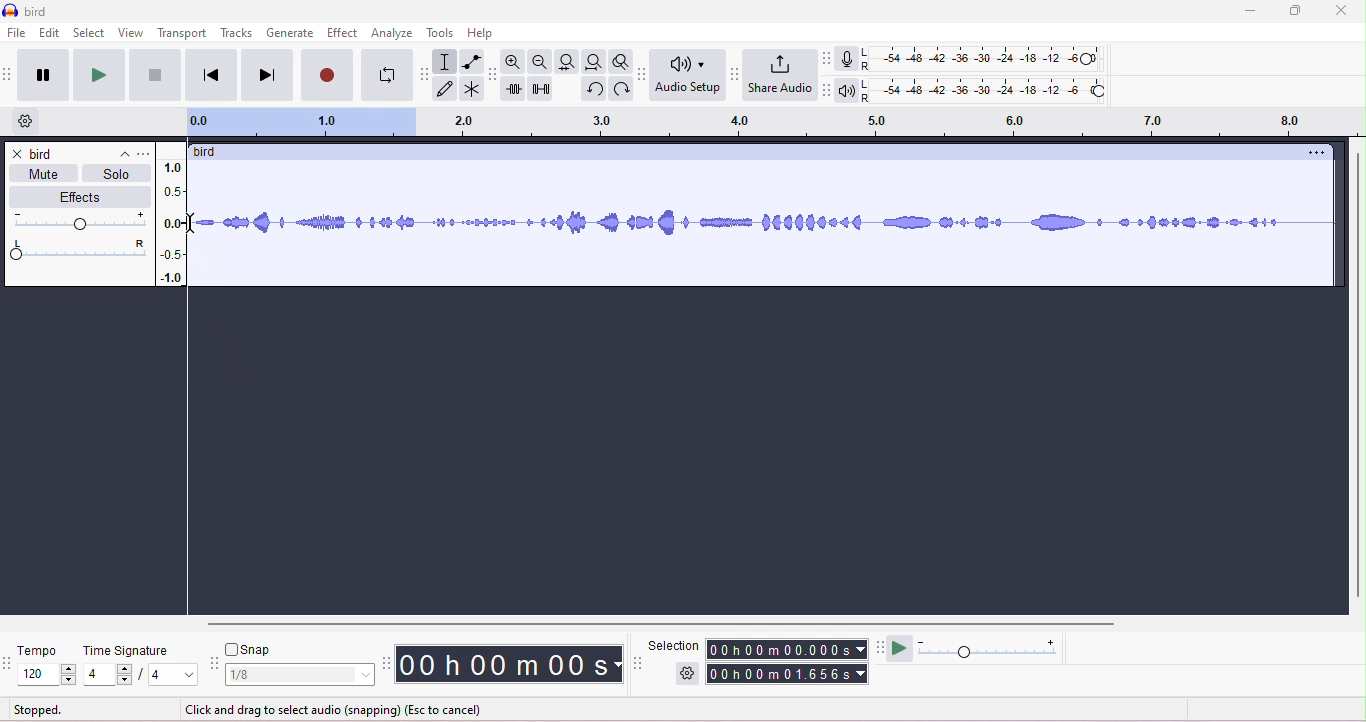  Describe the element at coordinates (81, 220) in the screenshot. I see `volume` at that location.